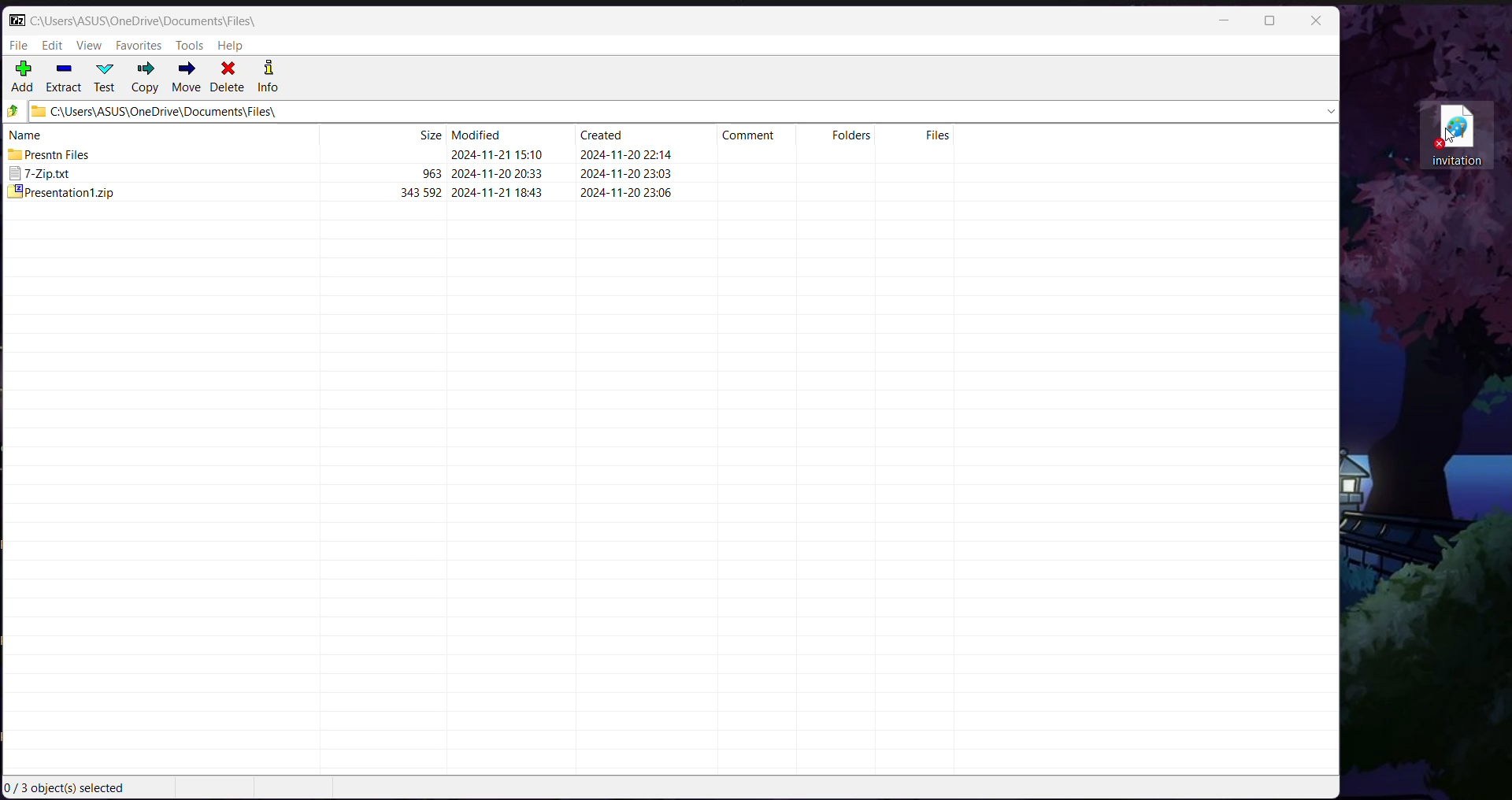 The width and height of the screenshot is (1512, 800). What do you see at coordinates (754, 133) in the screenshot?
I see `Comment` at bounding box center [754, 133].